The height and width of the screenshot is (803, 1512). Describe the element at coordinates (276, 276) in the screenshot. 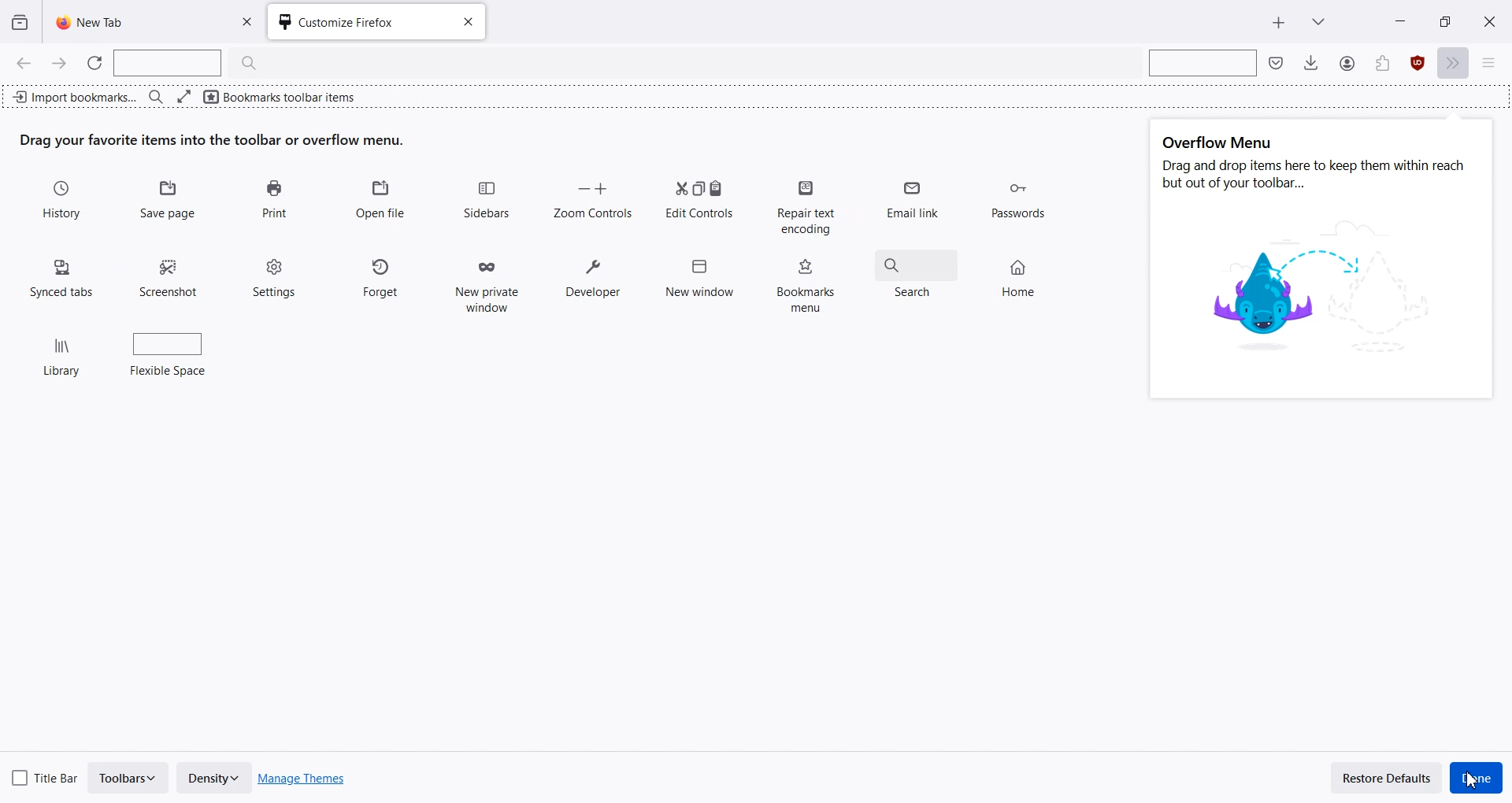

I see `Settings` at that location.